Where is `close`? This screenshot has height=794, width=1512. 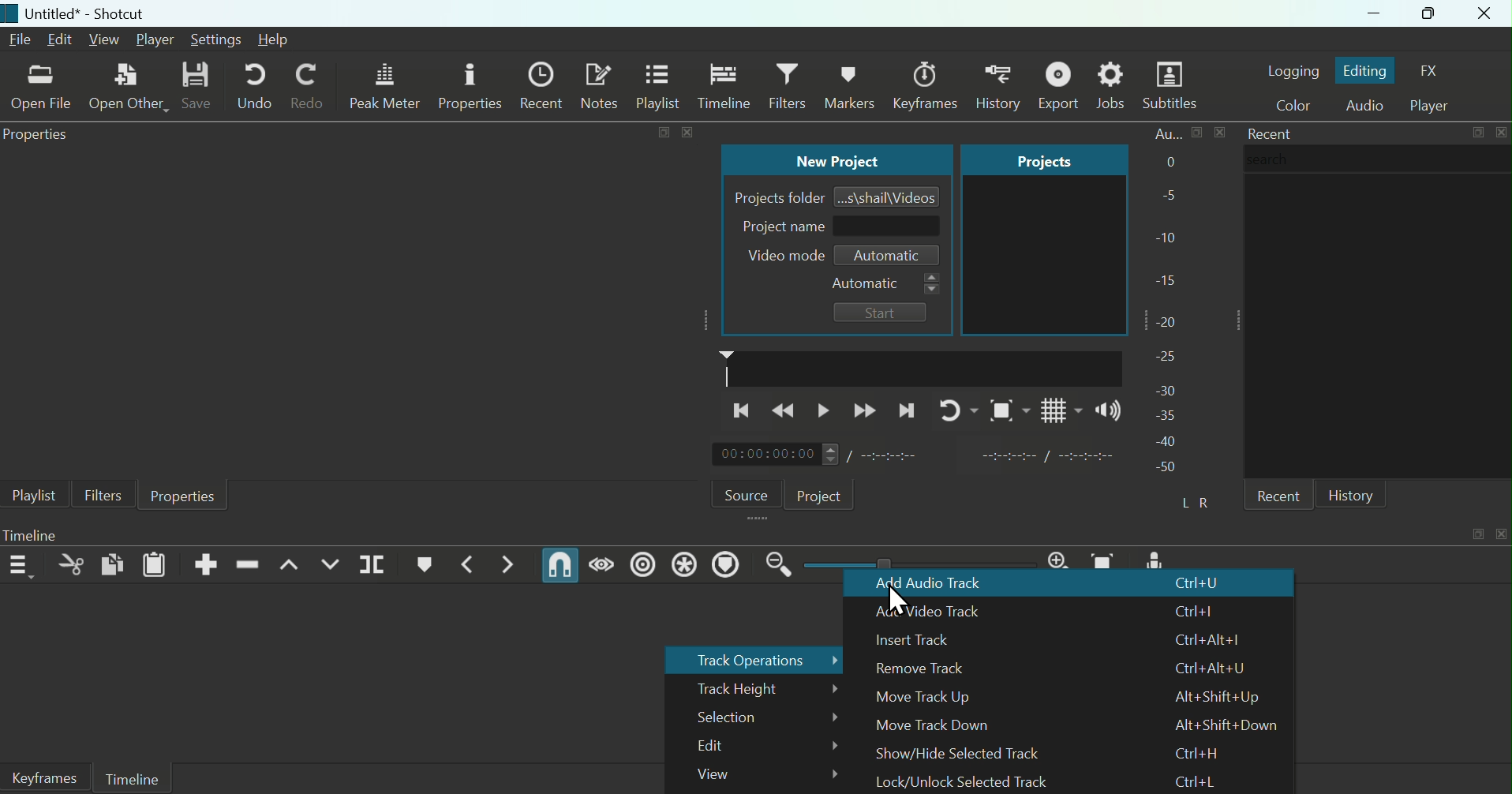 close is located at coordinates (1500, 132).